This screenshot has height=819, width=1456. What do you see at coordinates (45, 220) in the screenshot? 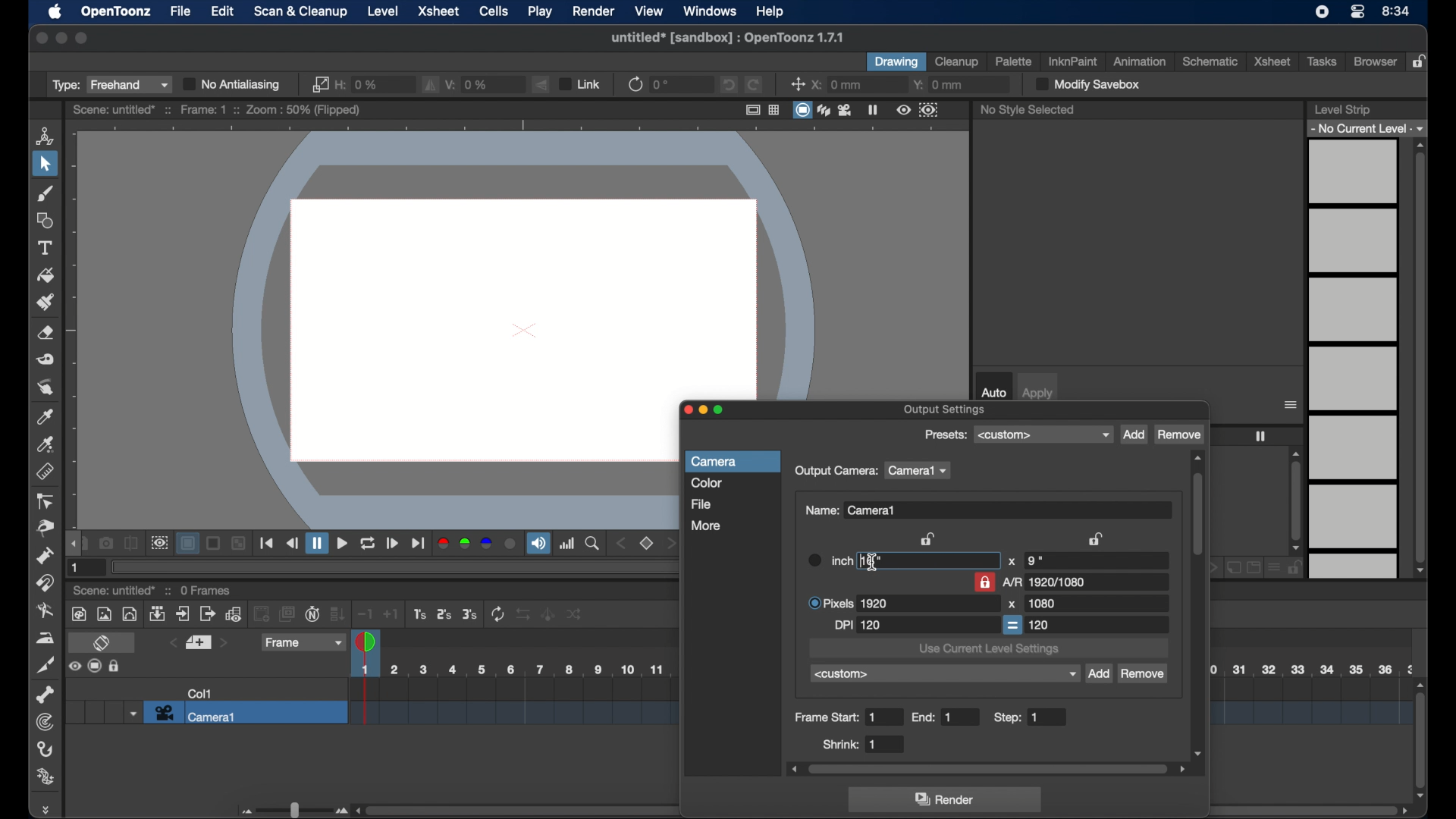
I see `shape tool` at bounding box center [45, 220].